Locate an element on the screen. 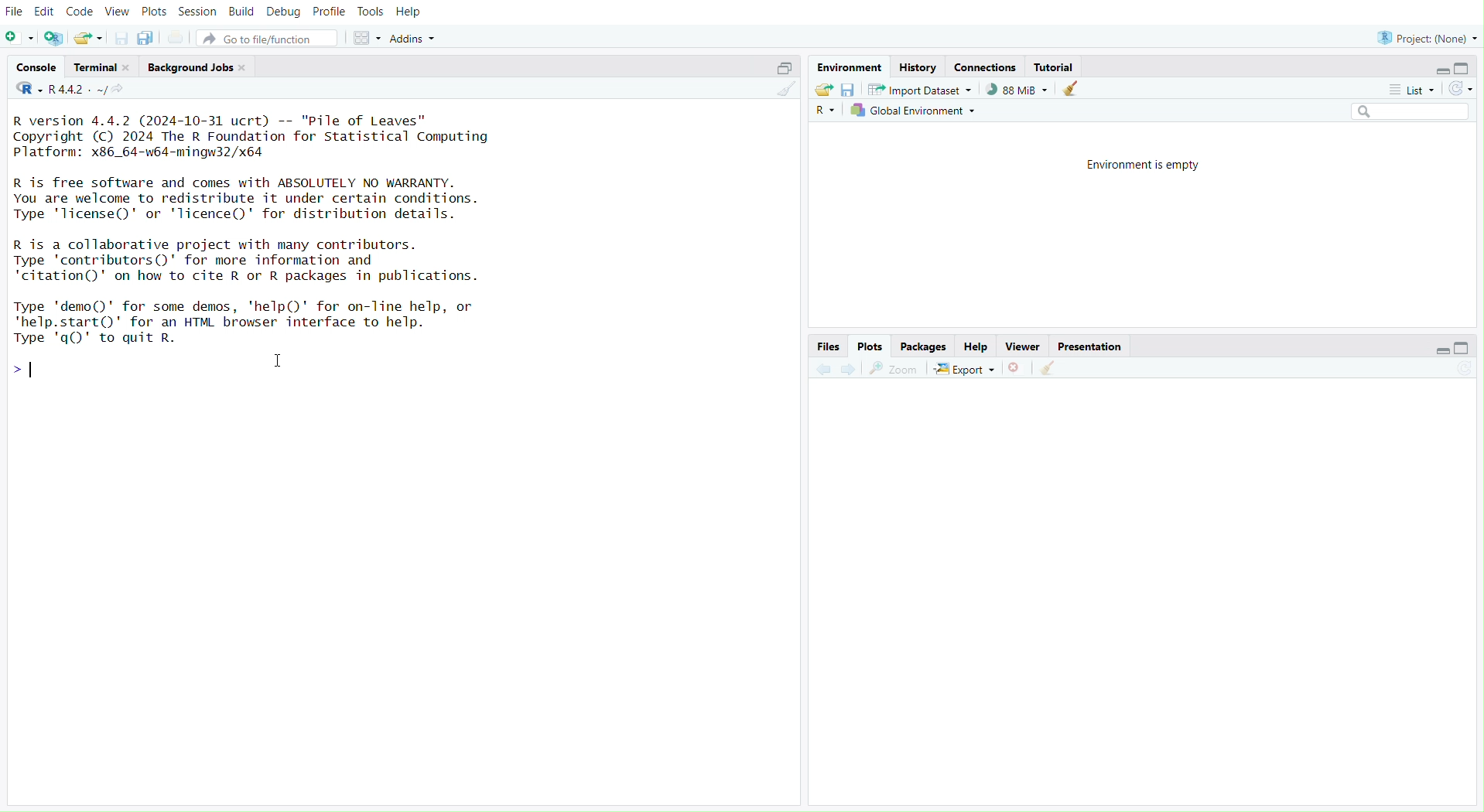 The image size is (1484, 812). Export is located at coordinates (965, 368).